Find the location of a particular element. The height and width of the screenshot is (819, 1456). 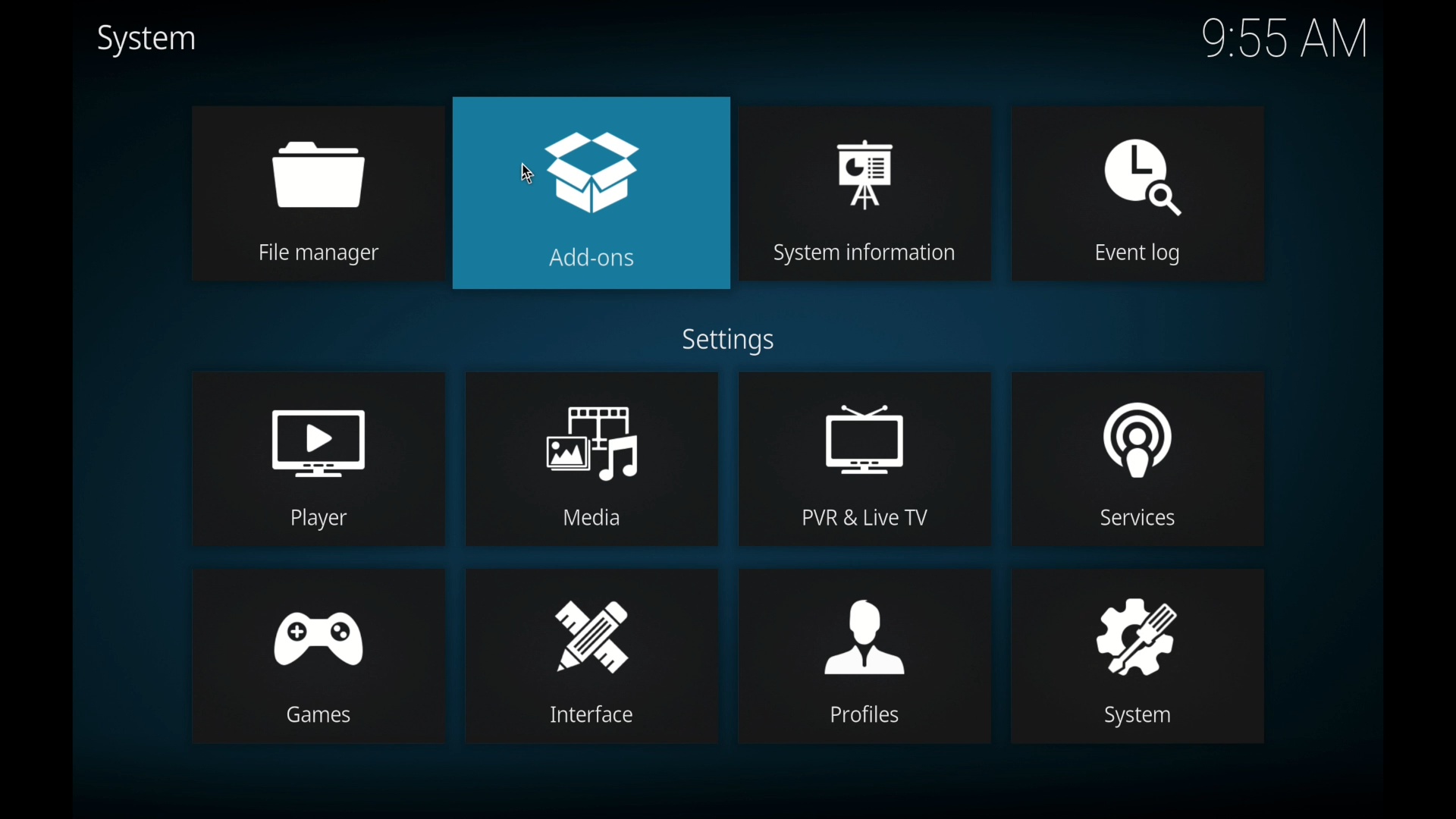

services is located at coordinates (1141, 457).